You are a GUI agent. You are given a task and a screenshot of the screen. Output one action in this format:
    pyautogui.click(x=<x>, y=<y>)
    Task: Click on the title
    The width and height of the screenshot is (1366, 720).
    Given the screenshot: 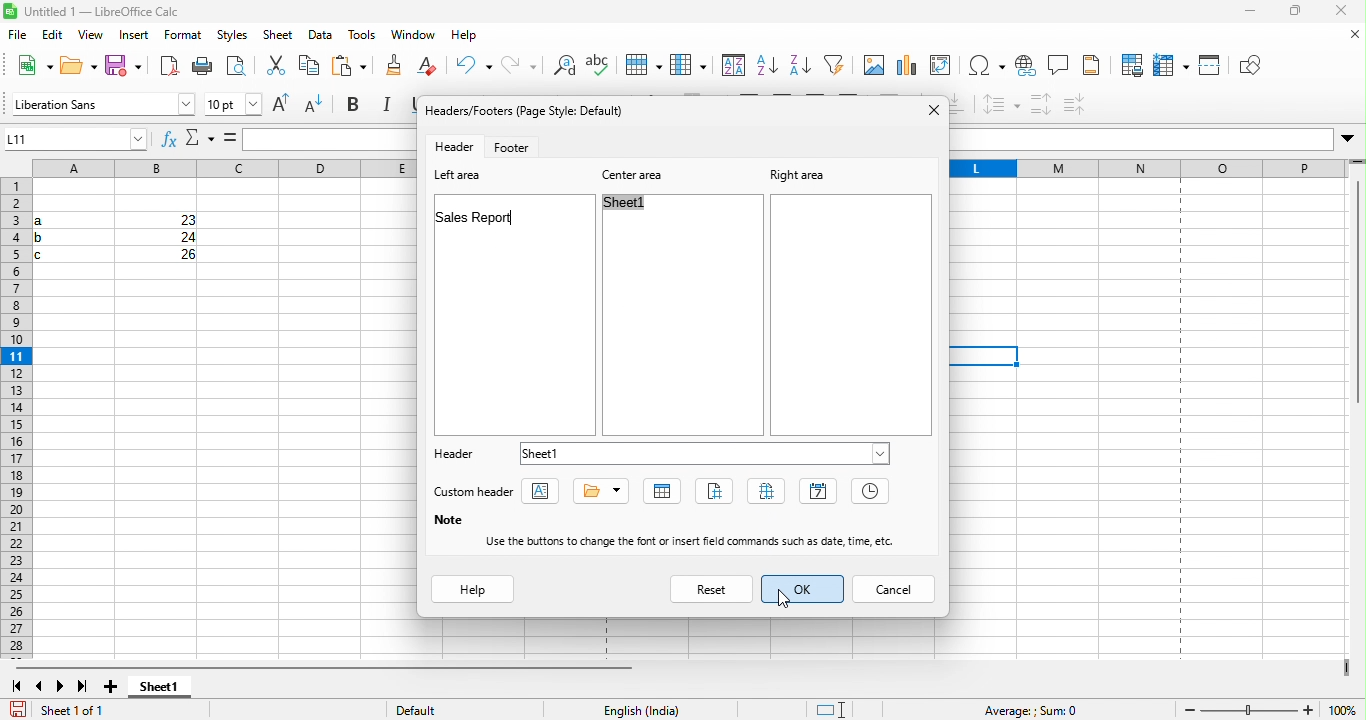 What is the action you would take?
    pyautogui.click(x=598, y=490)
    